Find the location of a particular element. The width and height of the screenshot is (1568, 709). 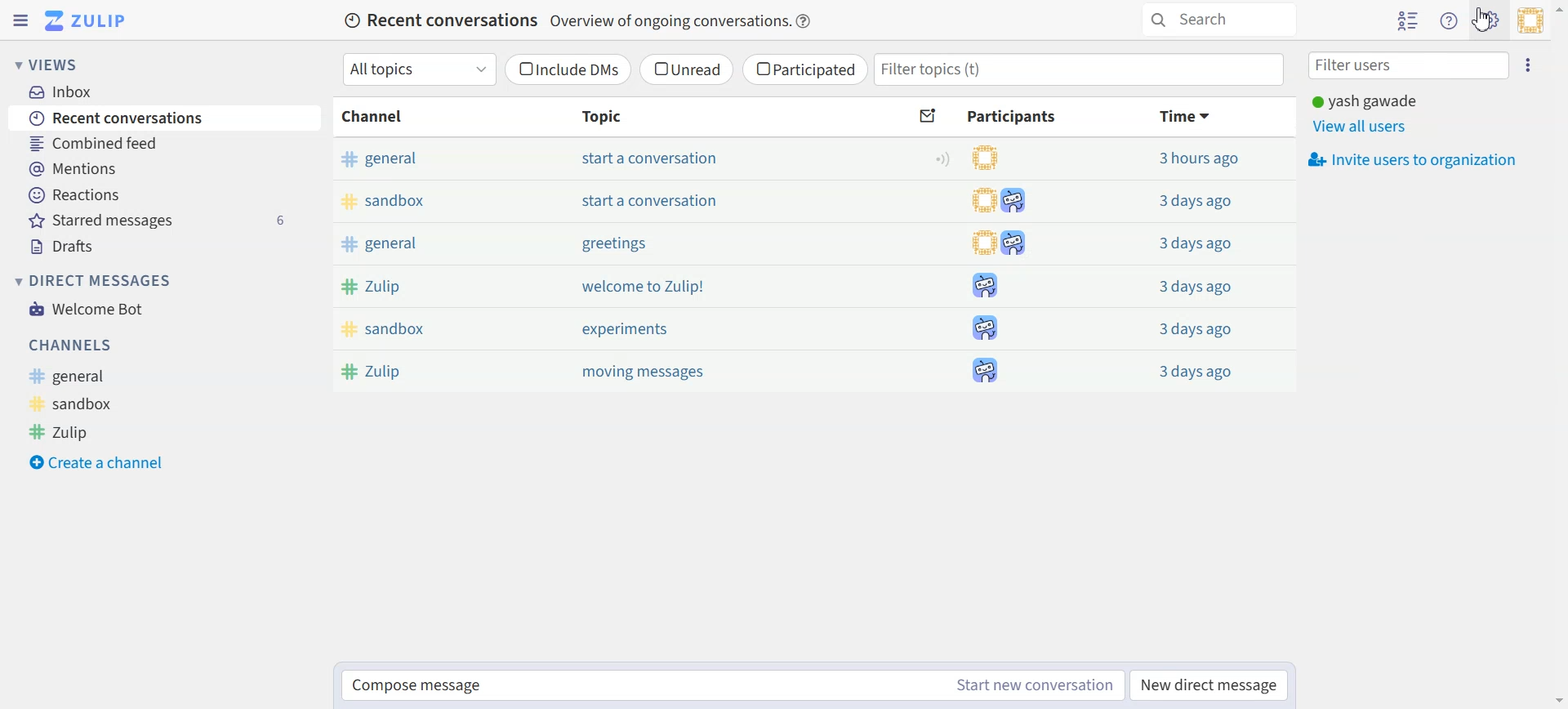

Starred messages is located at coordinates (167, 220).